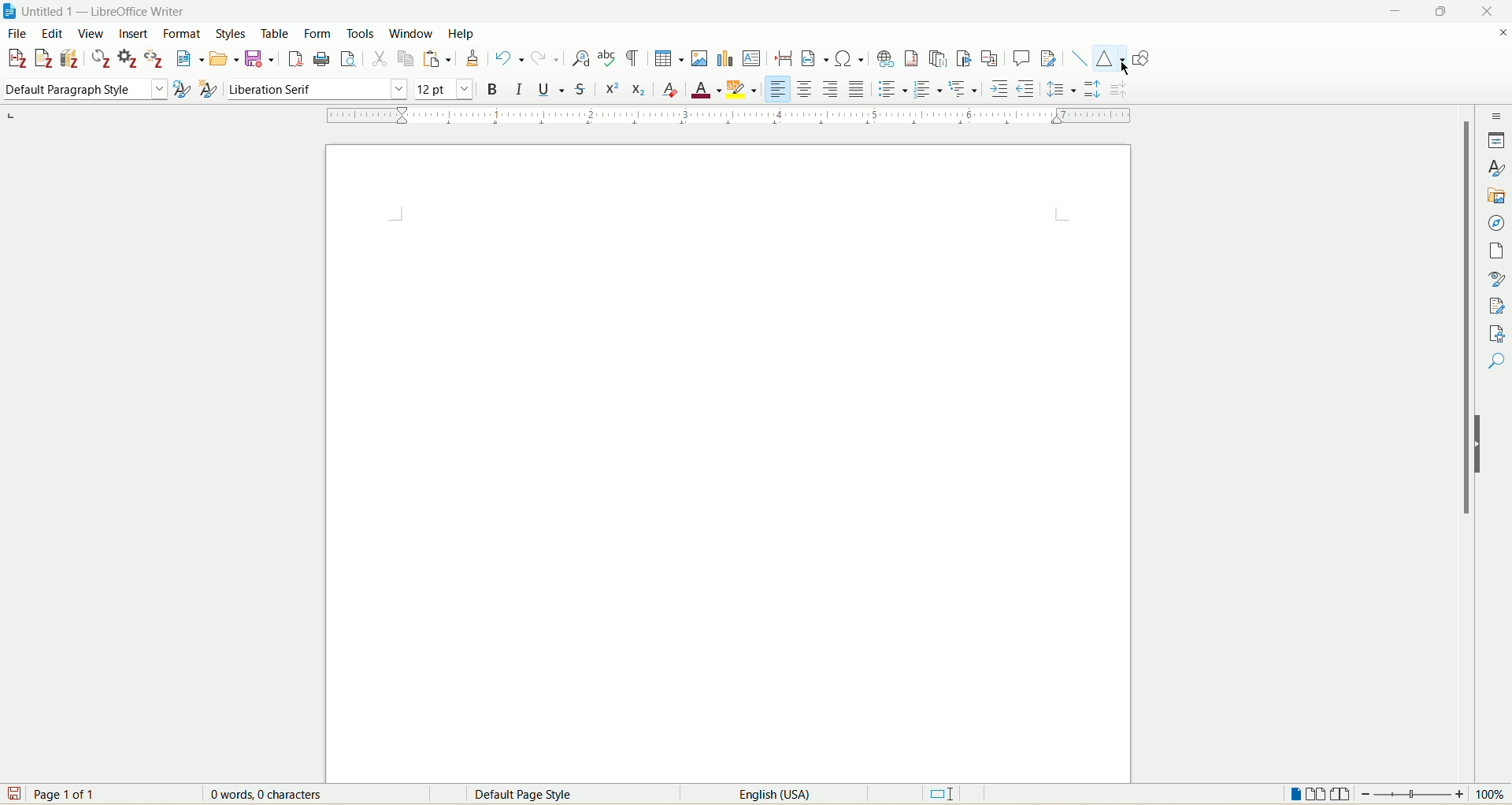 Image resolution: width=1512 pixels, height=805 pixels. Describe the element at coordinates (535, 795) in the screenshot. I see `Default page style` at that location.